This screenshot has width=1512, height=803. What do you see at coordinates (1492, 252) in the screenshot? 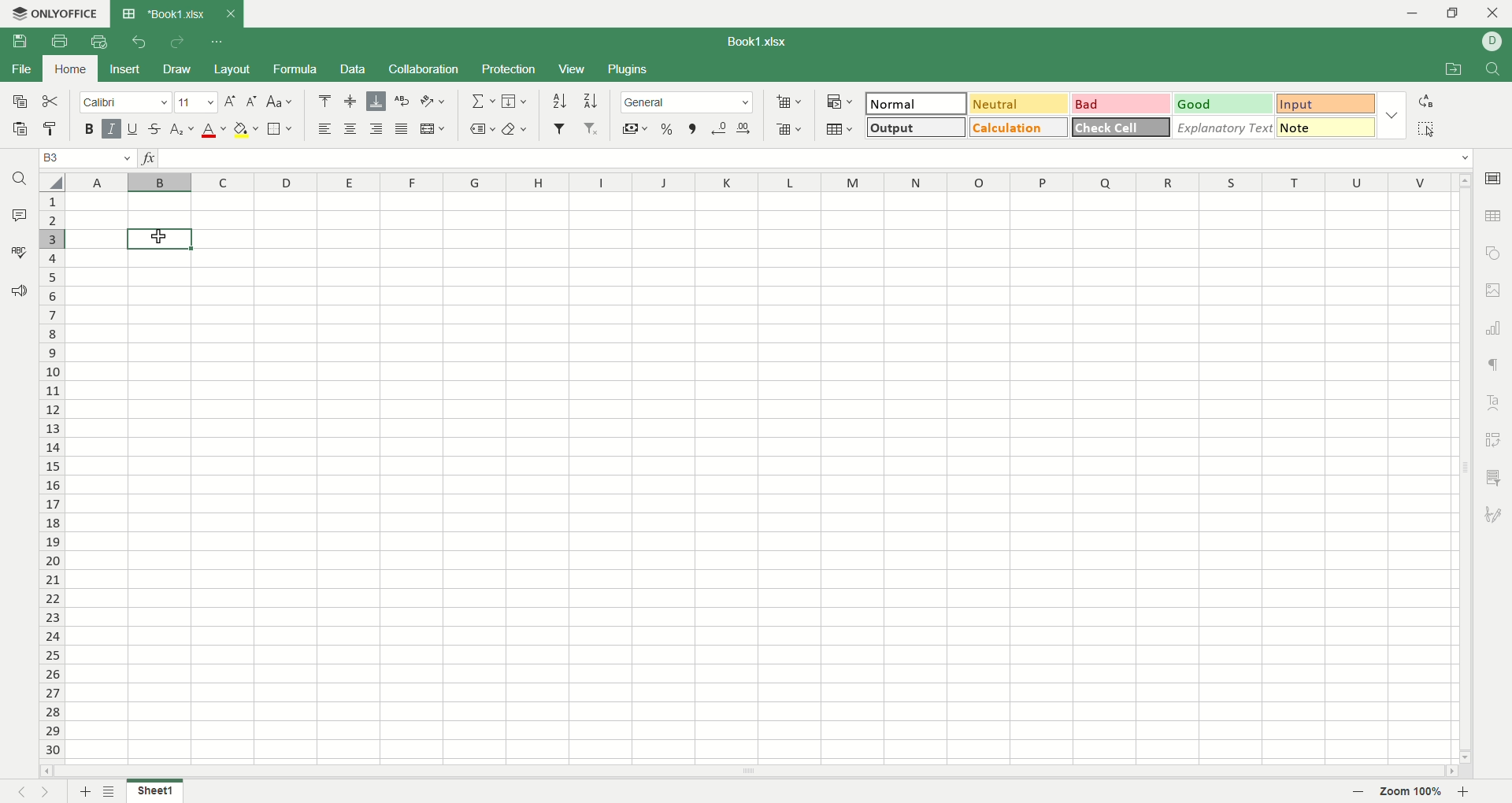
I see `object settings` at bounding box center [1492, 252].